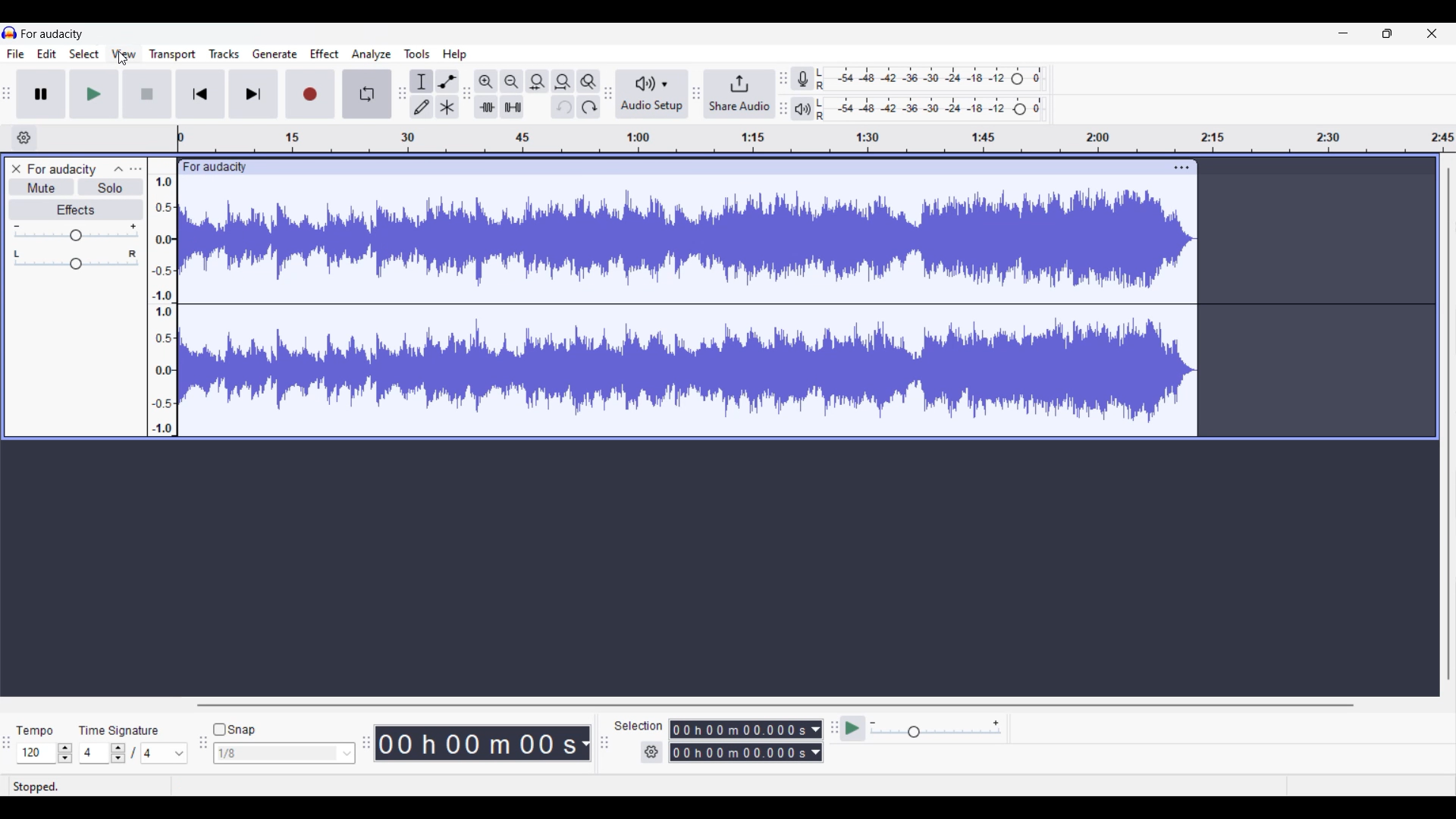 The width and height of the screenshot is (1456, 819). I want to click on Open menu, so click(136, 169).